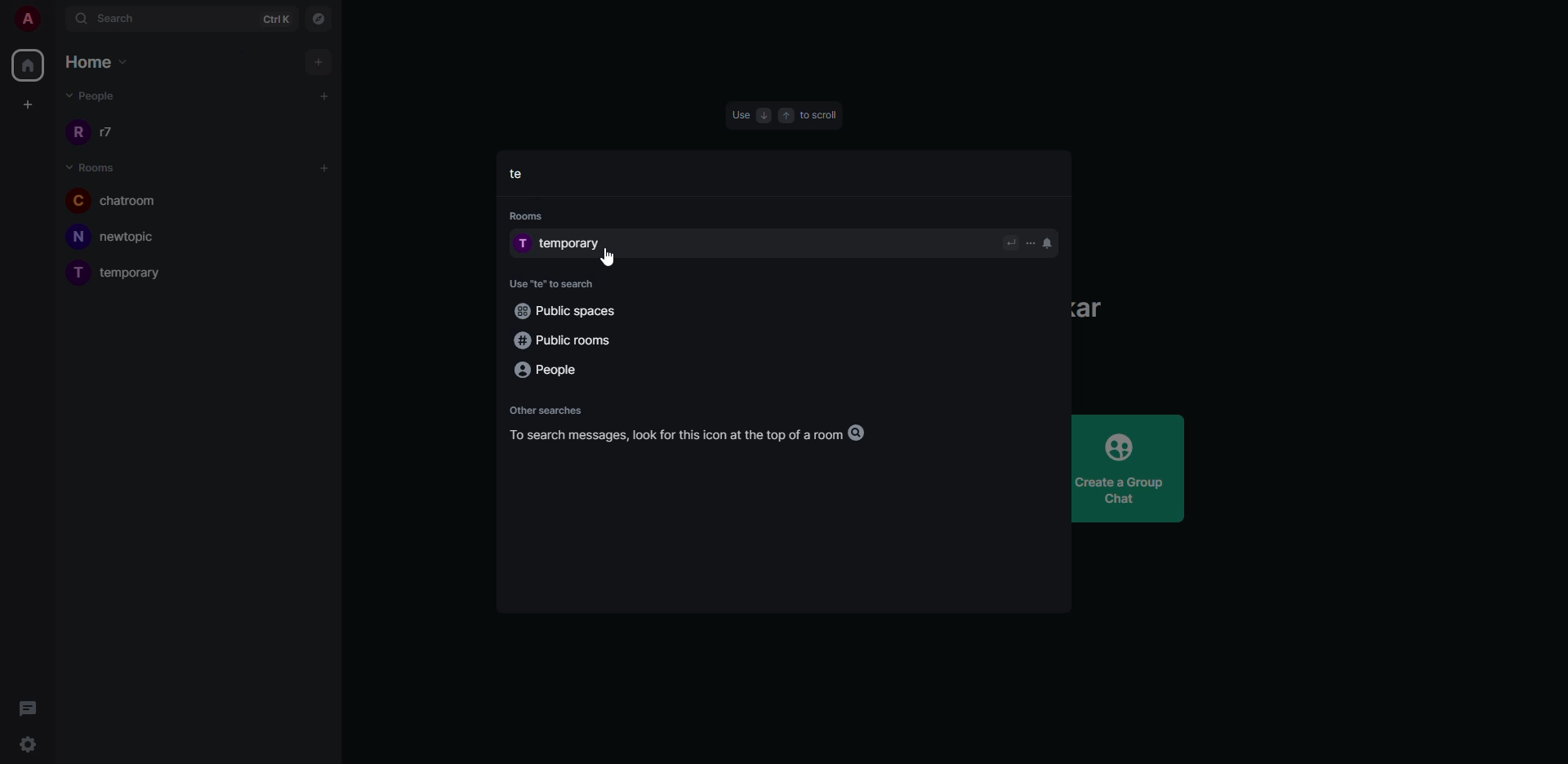  What do you see at coordinates (120, 273) in the screenshot?
I see `room` at bounding box center [120, 273].